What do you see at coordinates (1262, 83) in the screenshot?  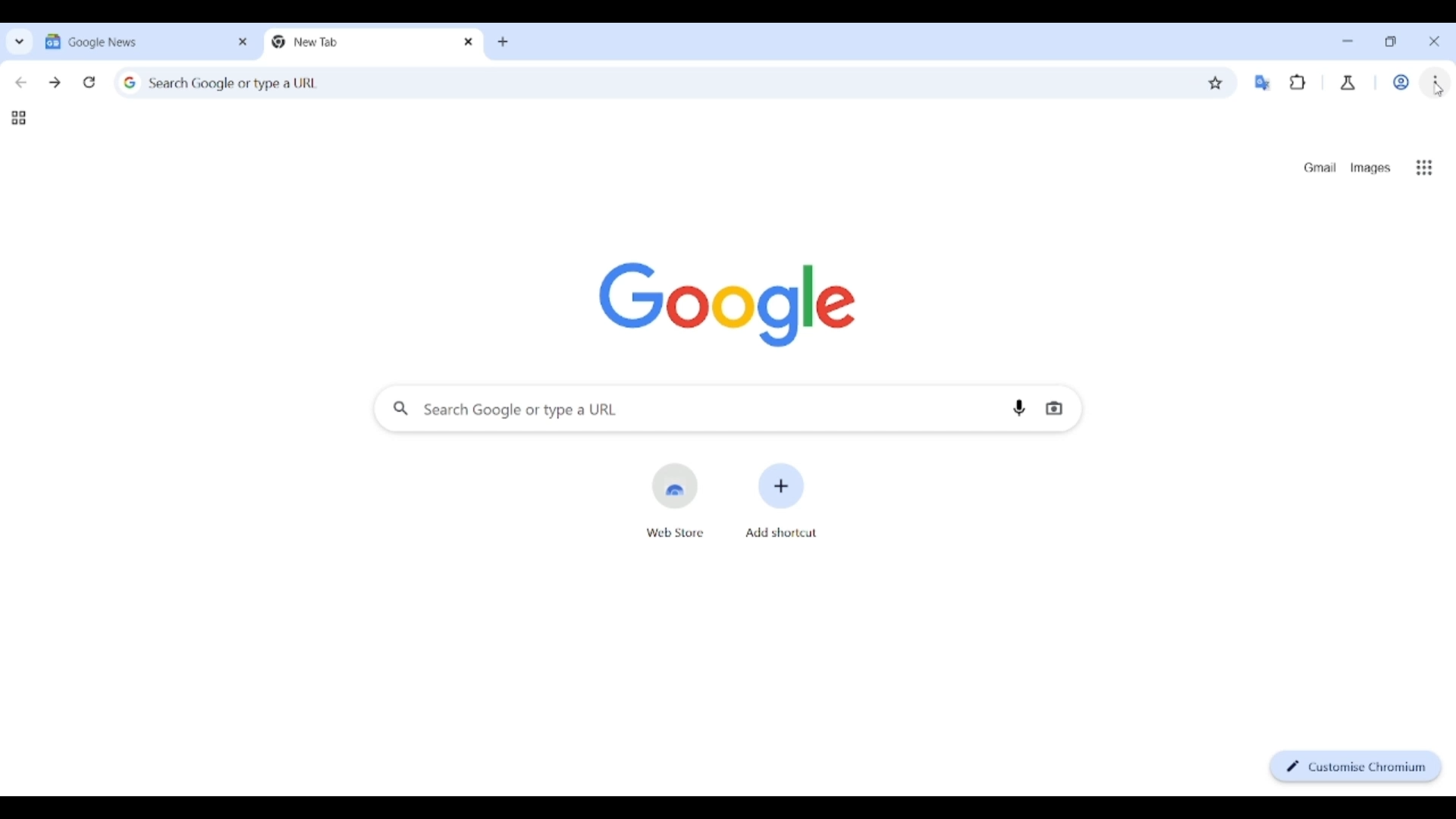 I see `Google translator extension` at bounding box center [1262, 83].